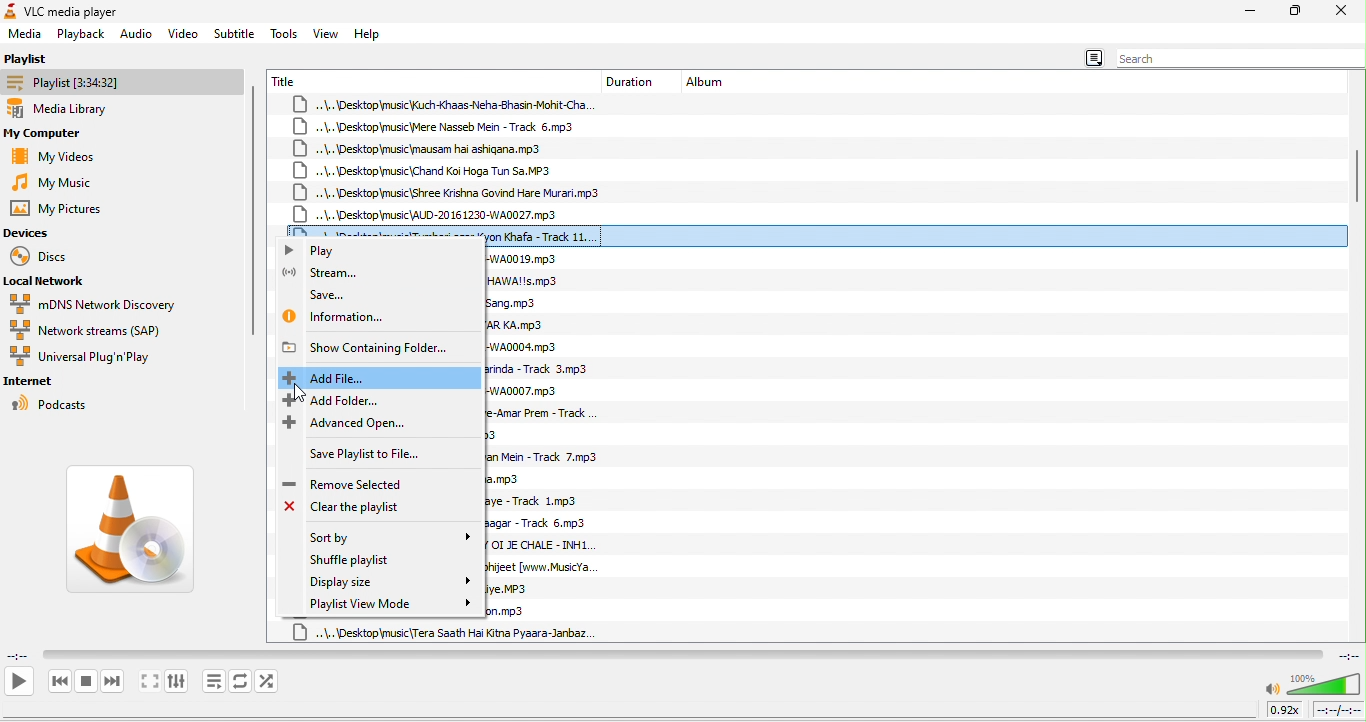 The width and height of the screenshot is (1366, 722). Describe the element at coordinates (817, 233) in the screenshot. I see `..\.. \Desktop\music\{Tumhari azar Kyon Khafa - Track 11...` at that location.